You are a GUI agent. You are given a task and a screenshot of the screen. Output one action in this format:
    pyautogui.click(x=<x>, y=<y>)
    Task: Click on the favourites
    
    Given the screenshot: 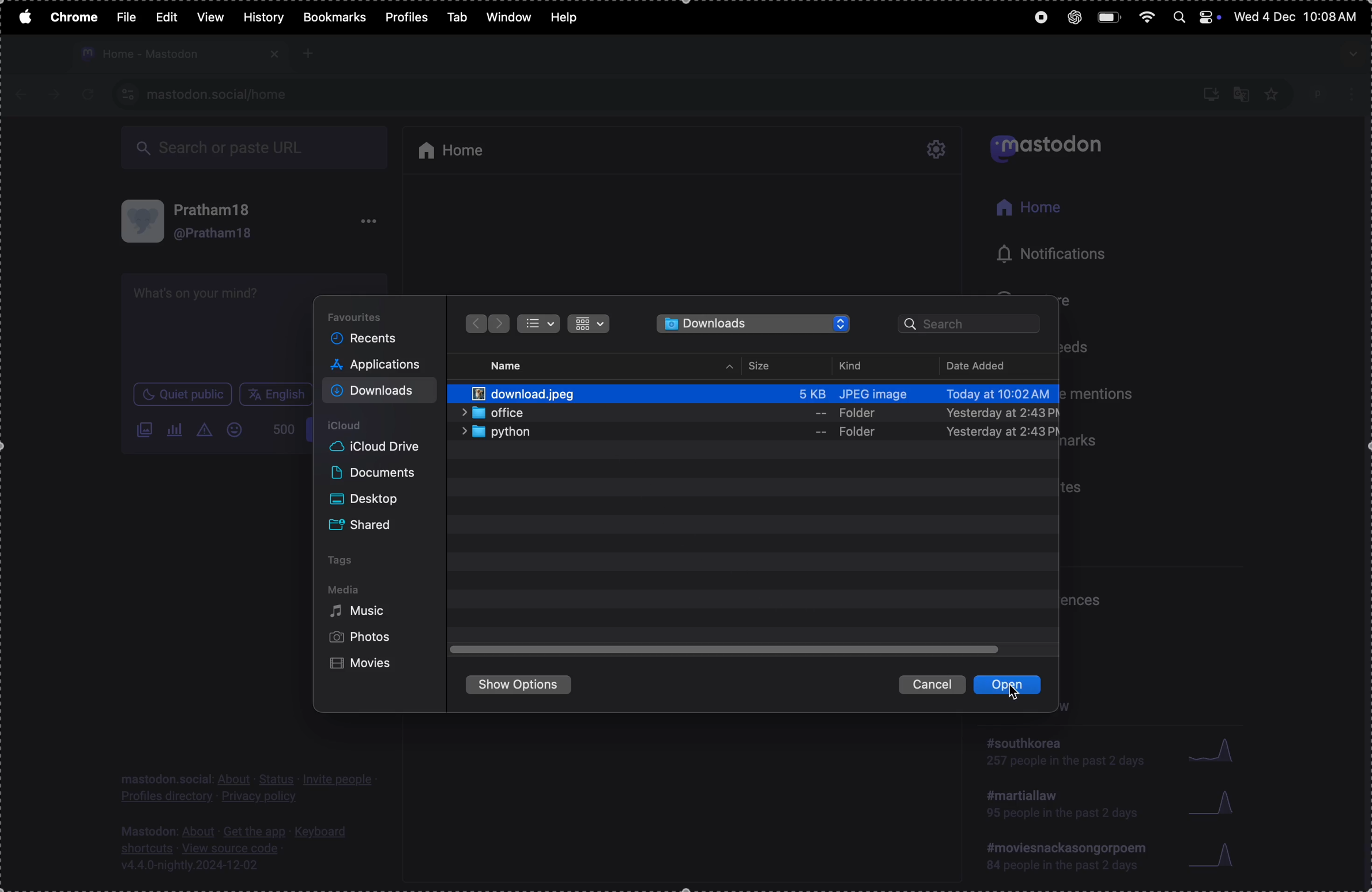 What is the action you would take?
    pyautogui.click(x=362, y=315)
    